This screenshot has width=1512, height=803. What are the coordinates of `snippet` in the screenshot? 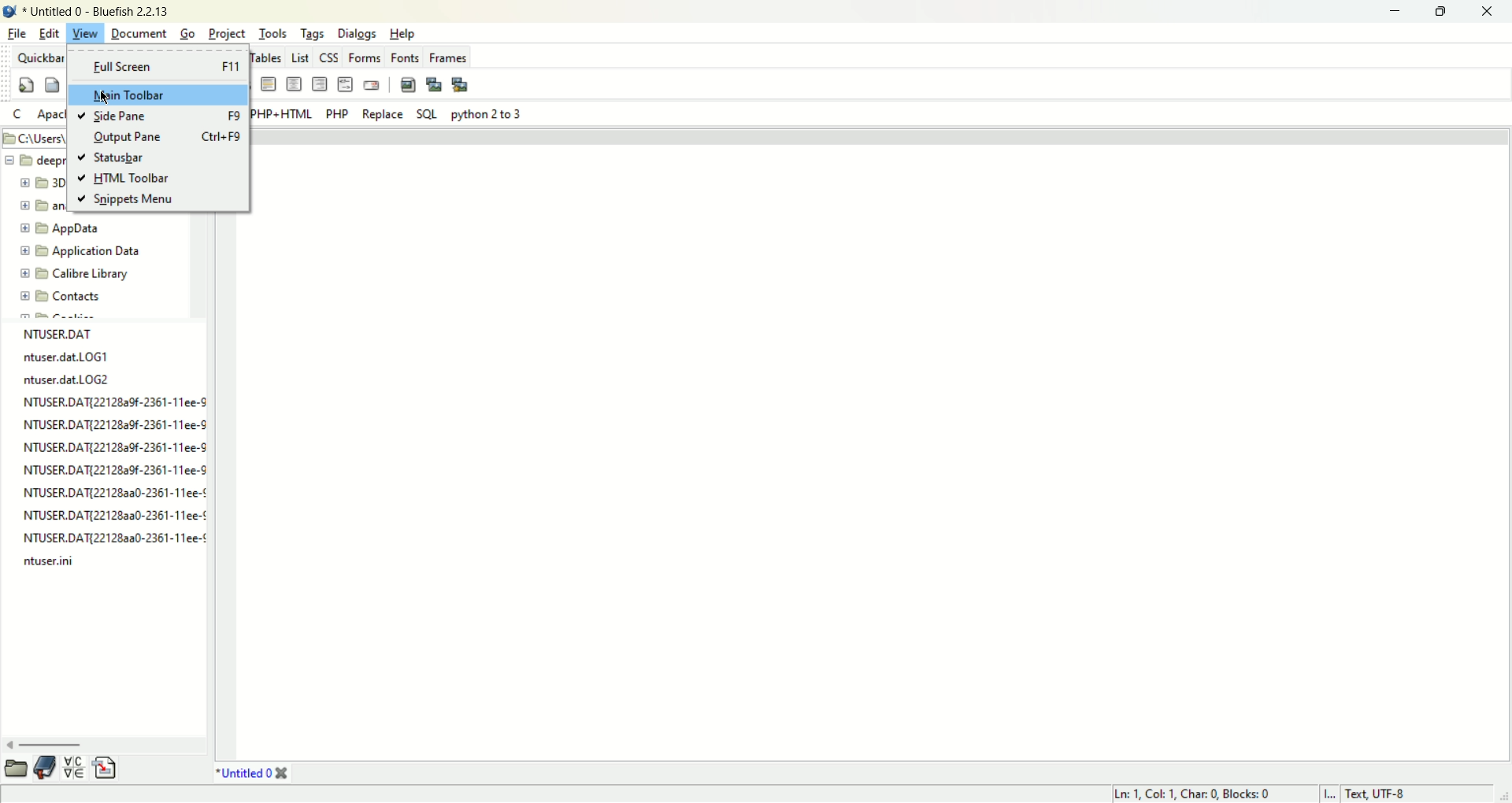 It's located at (106, 771).